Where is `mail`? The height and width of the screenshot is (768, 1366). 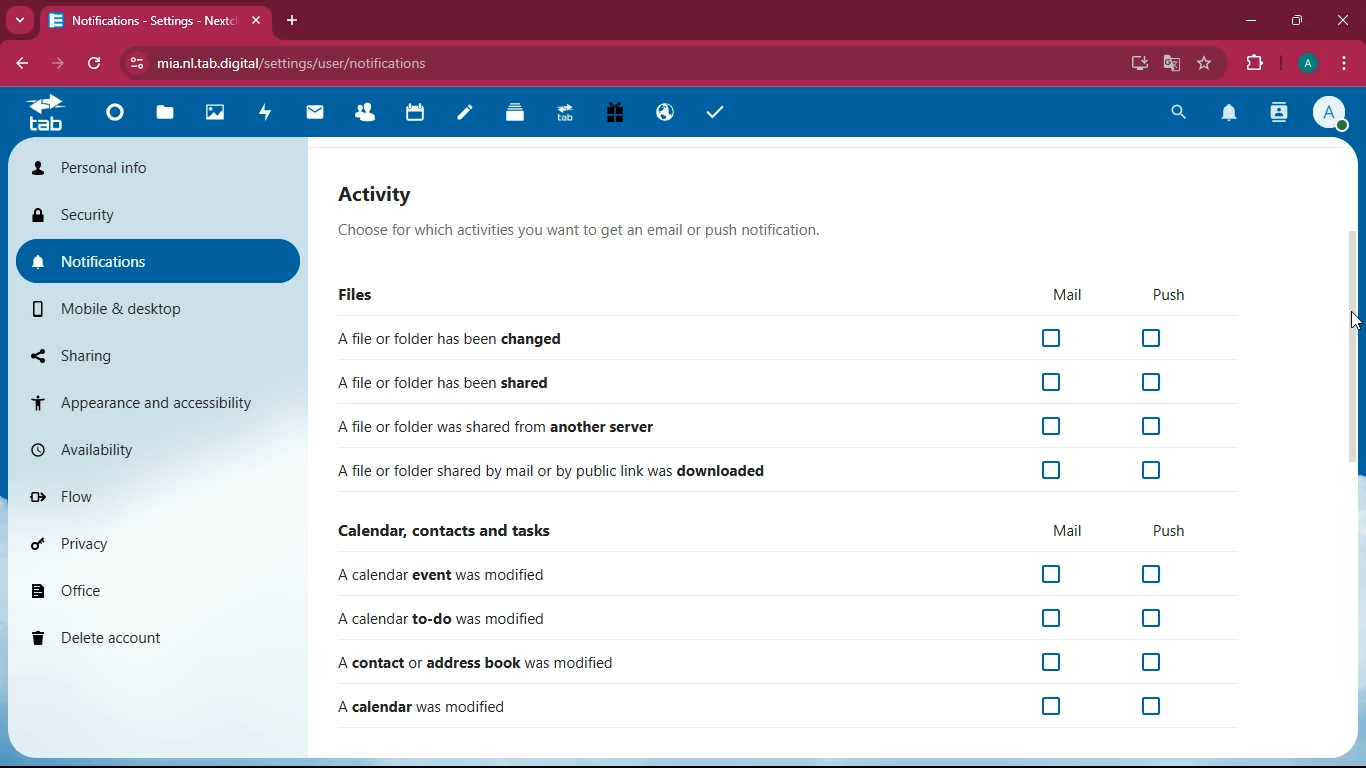
mail is located at coordinates (1063, 533).